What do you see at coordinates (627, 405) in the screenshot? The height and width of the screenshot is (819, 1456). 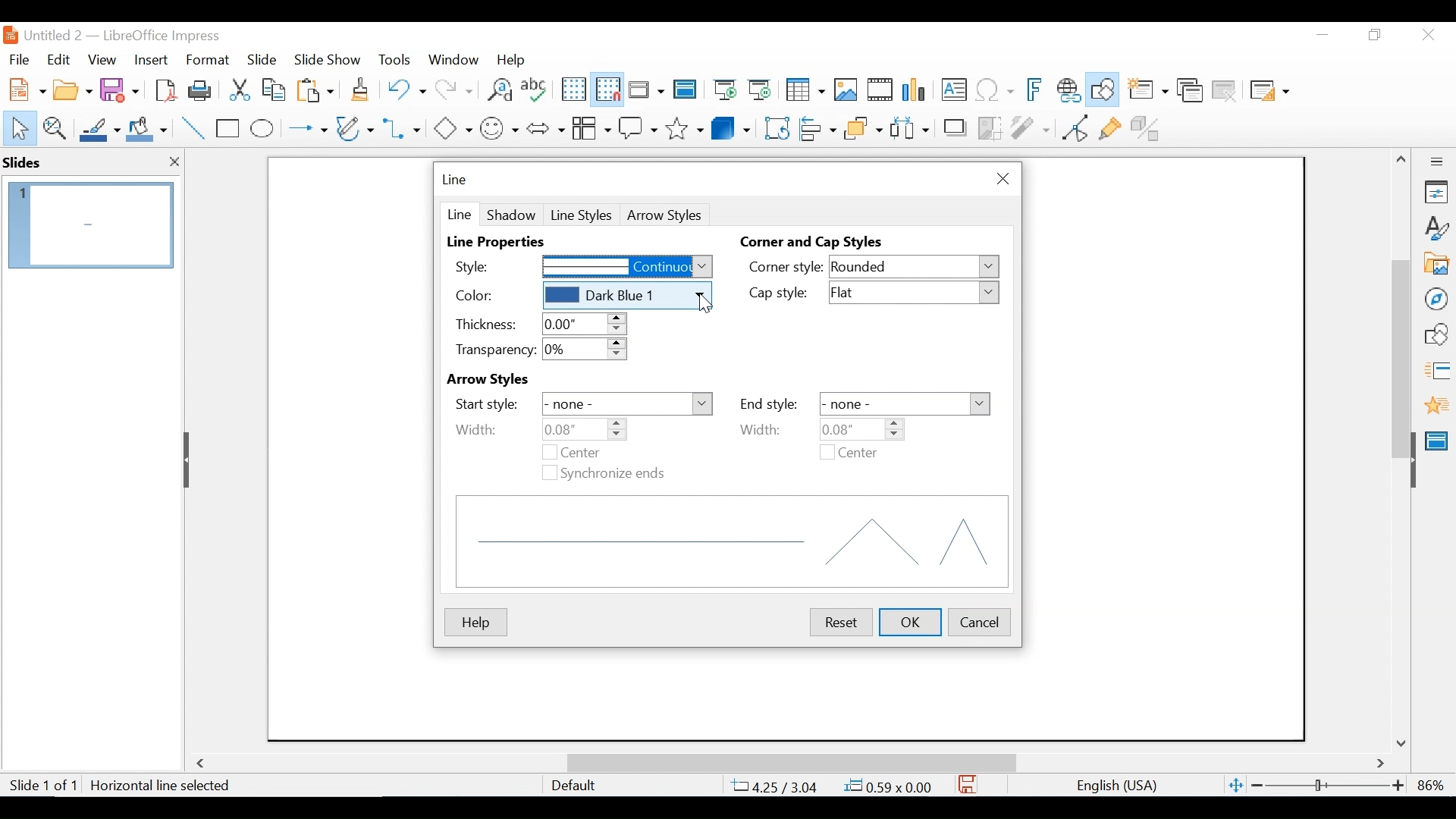 I see `none` at bounding box center [627, 405].